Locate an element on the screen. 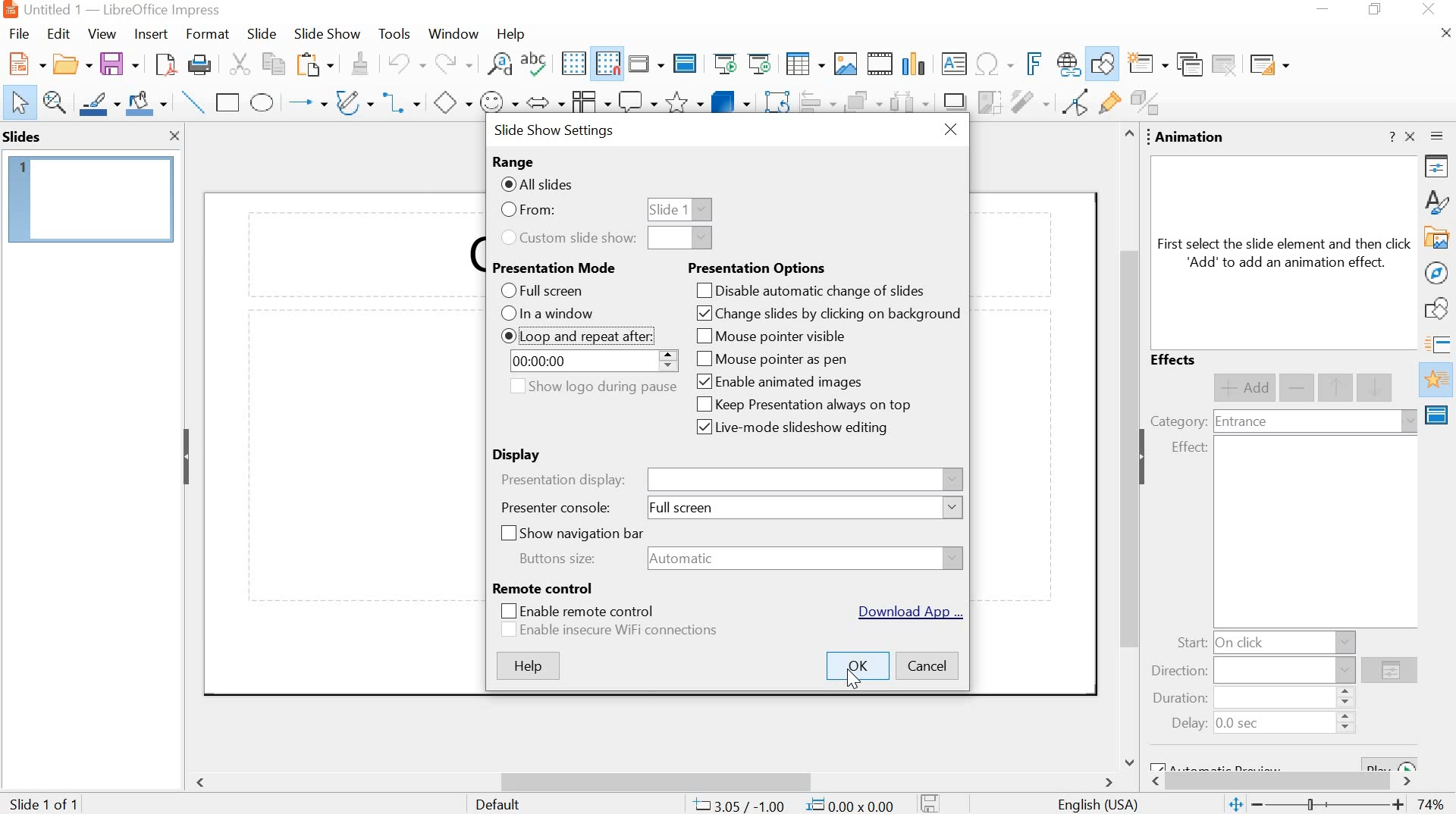 This screenshot has height=814, width=1456. insert special character is located at coordinates (993, 64).